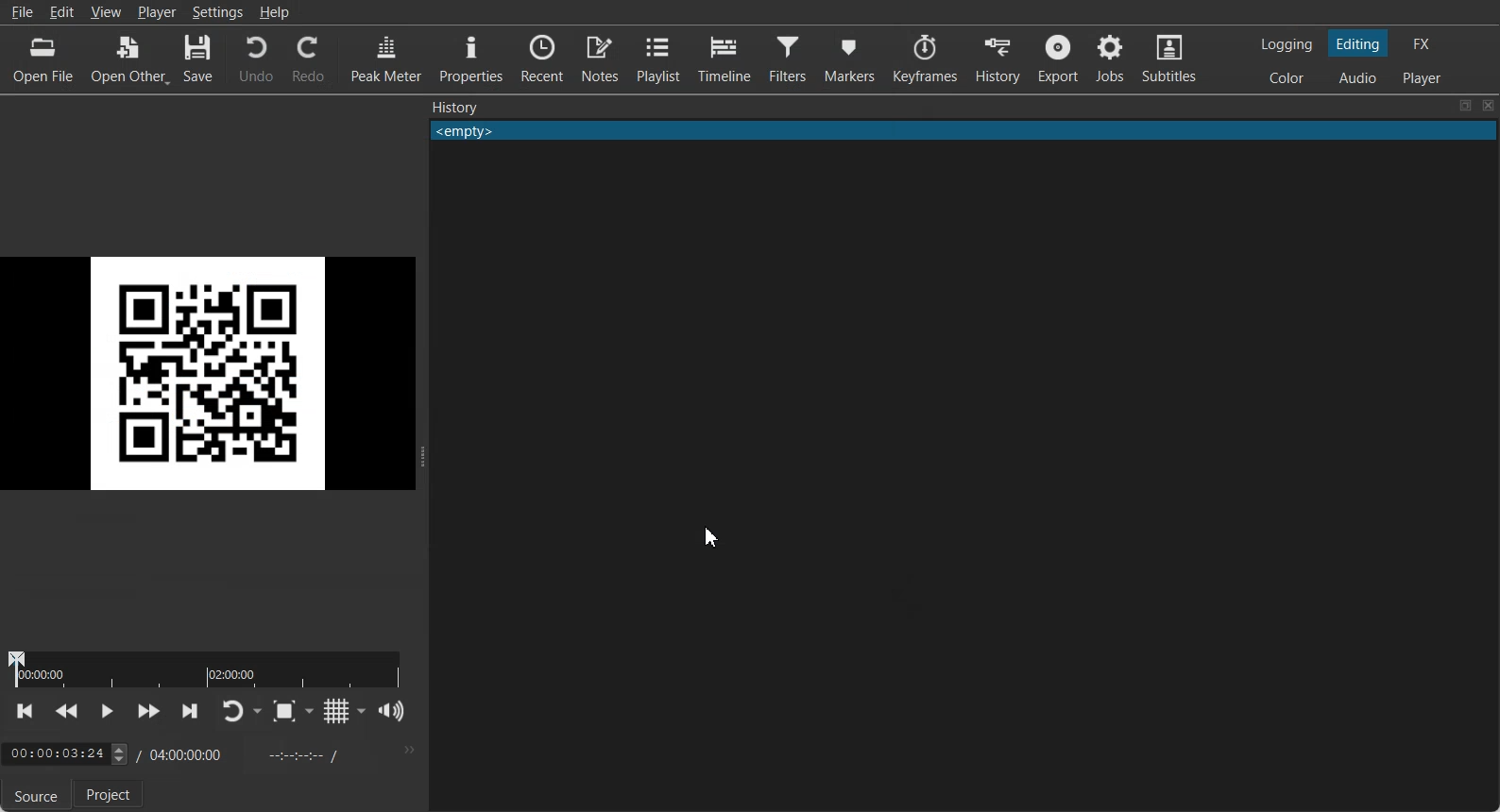 The height and width of the screenshot is (812, 1500). Describe the element at coordinates (1057, 58) in the screenshot. I see `Export` at that location.